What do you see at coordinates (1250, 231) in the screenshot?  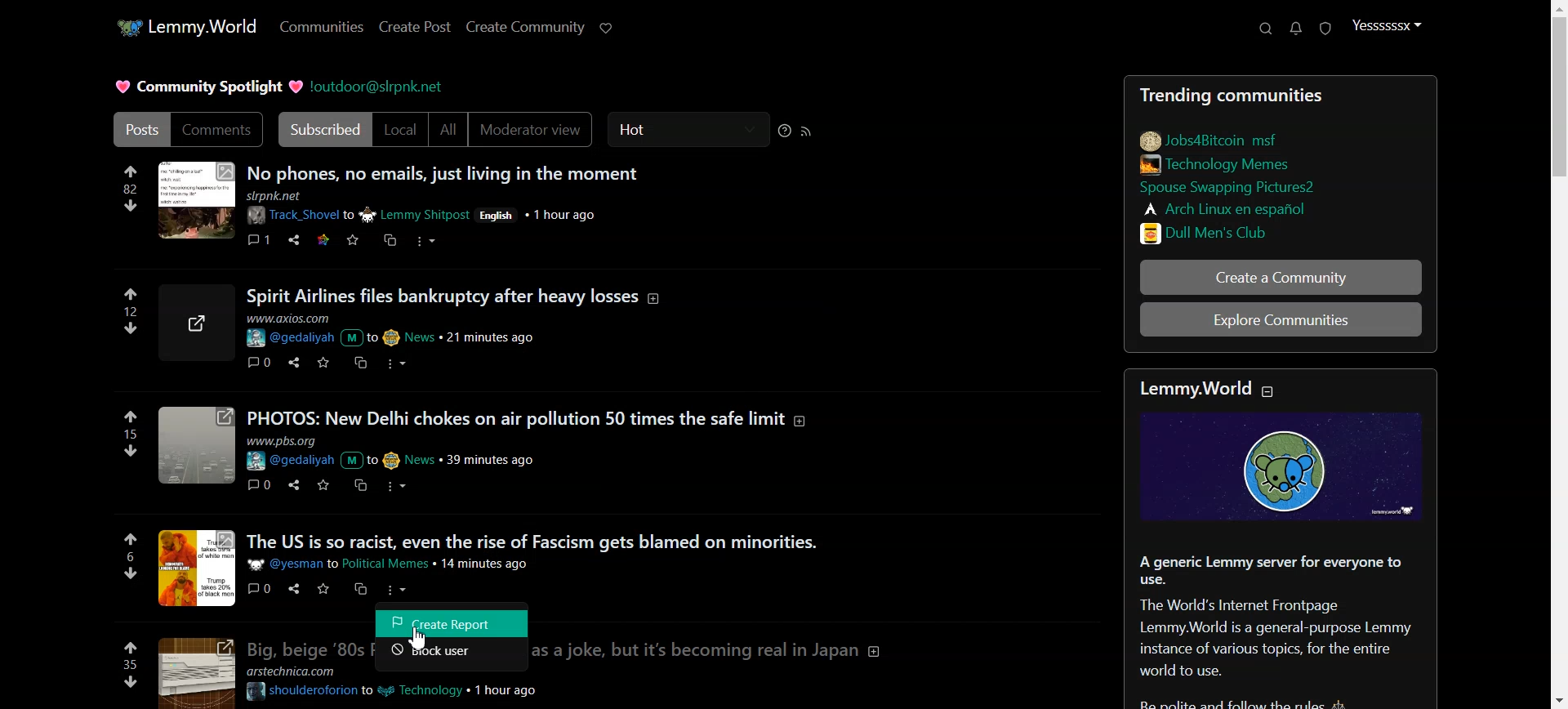 I see `link` at bounding box center [1250, 231].